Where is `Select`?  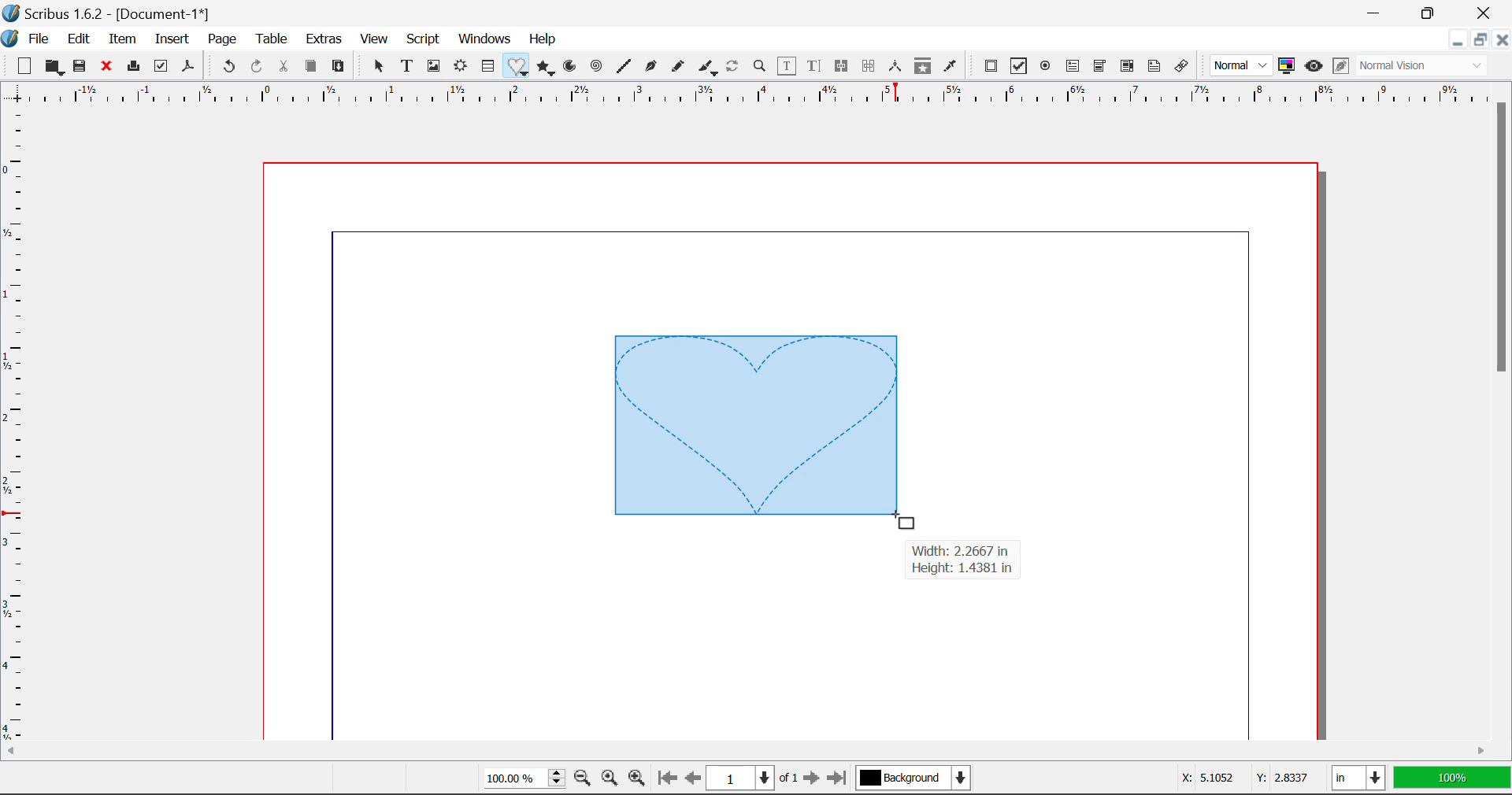 Select is located at coordinates (379, 66).